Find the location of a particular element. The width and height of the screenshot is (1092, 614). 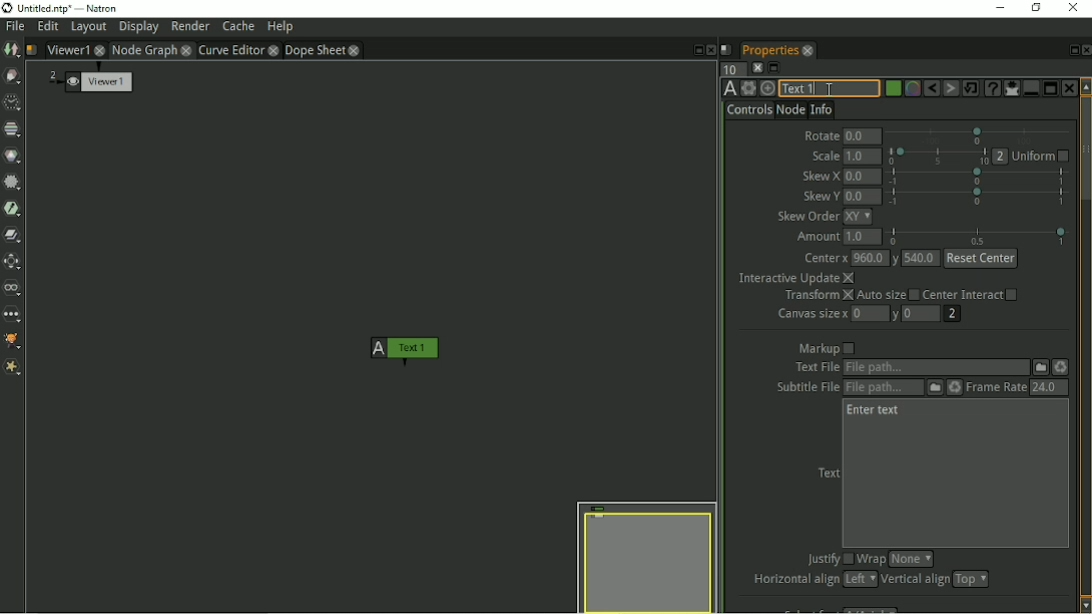

960 is located at coordinates (871, 258).